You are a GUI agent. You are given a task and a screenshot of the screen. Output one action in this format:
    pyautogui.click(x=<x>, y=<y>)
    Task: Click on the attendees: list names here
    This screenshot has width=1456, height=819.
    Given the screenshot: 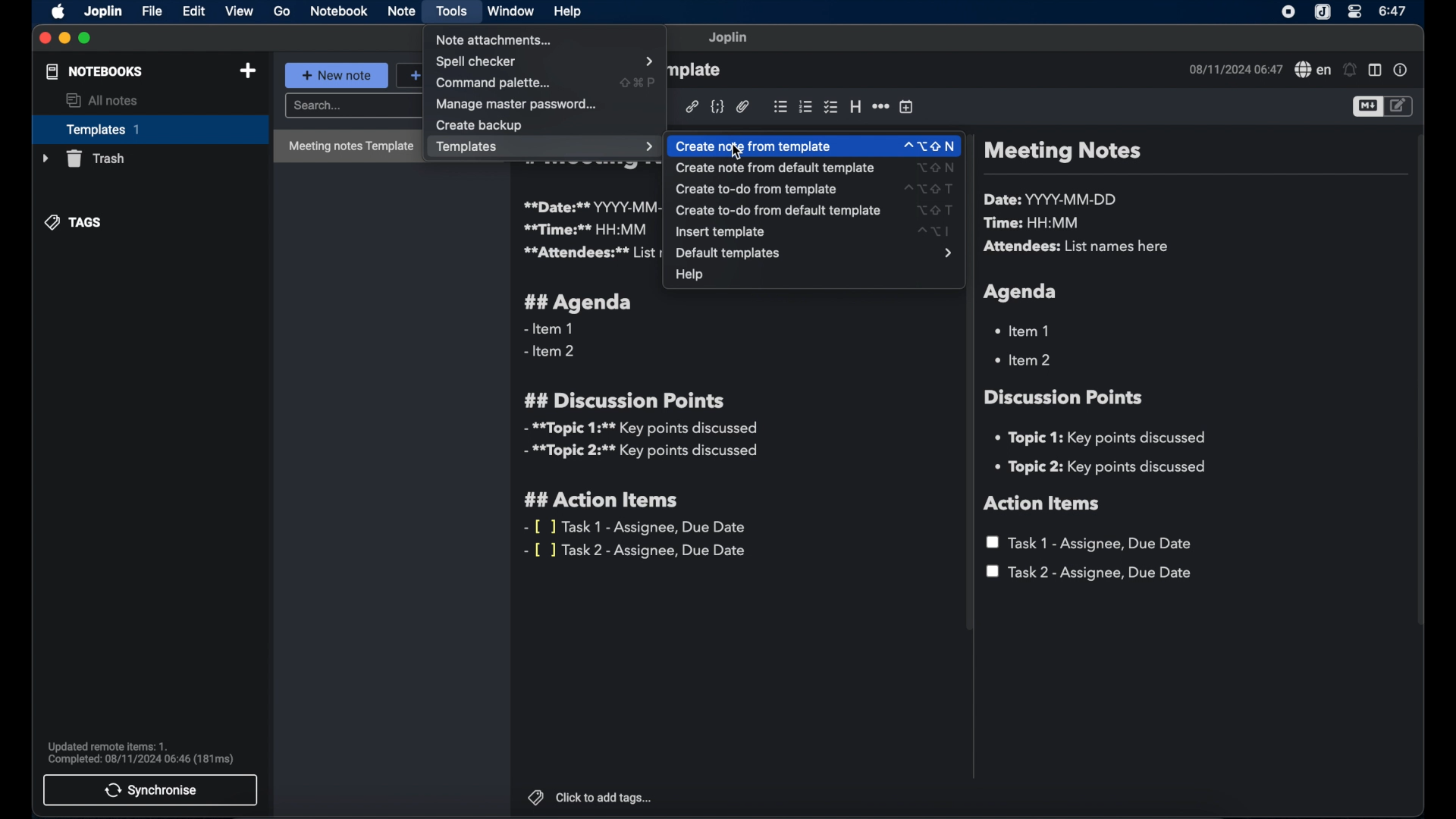 What is the action you would take?
    pyautogui.click(x=1079, y=247)
    